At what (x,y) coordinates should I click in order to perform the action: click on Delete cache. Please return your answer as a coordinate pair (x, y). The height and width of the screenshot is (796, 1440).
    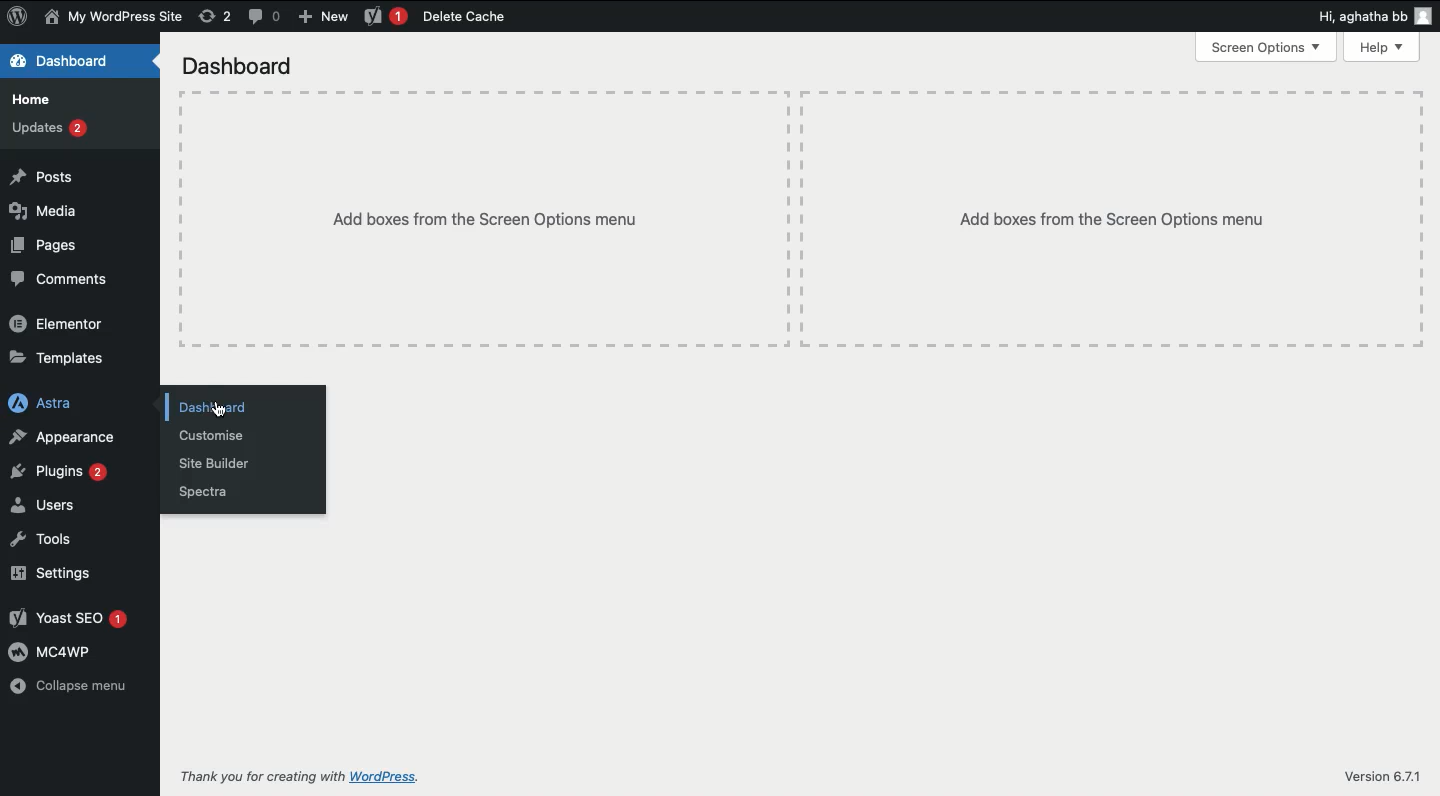
    Looking at the image, I should click on (463, 17).